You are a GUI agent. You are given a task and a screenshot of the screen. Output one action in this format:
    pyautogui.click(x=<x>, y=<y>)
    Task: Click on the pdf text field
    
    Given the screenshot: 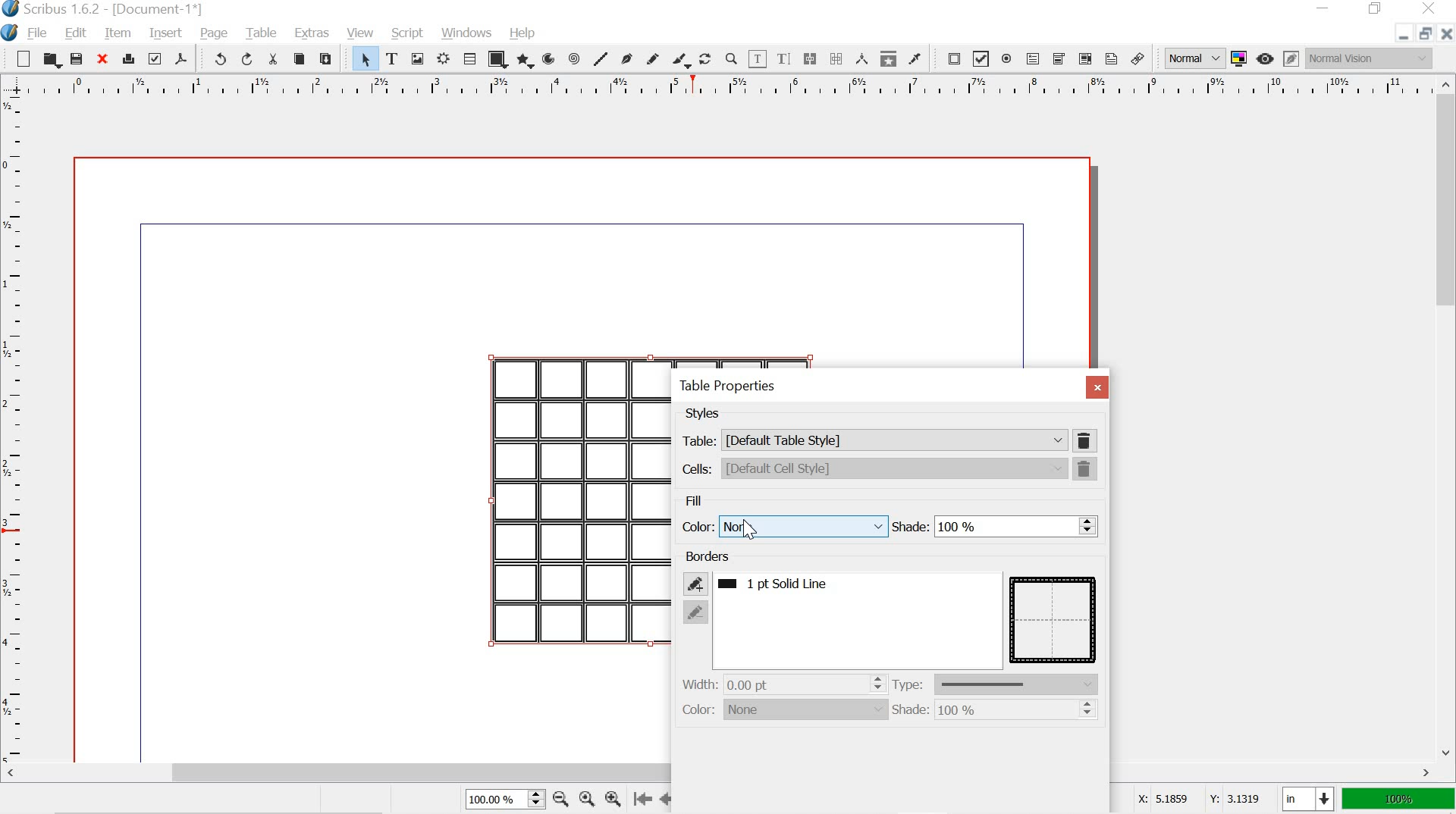 What is the action you would take?
    pyautogui.click(x=1032, y=58)
    